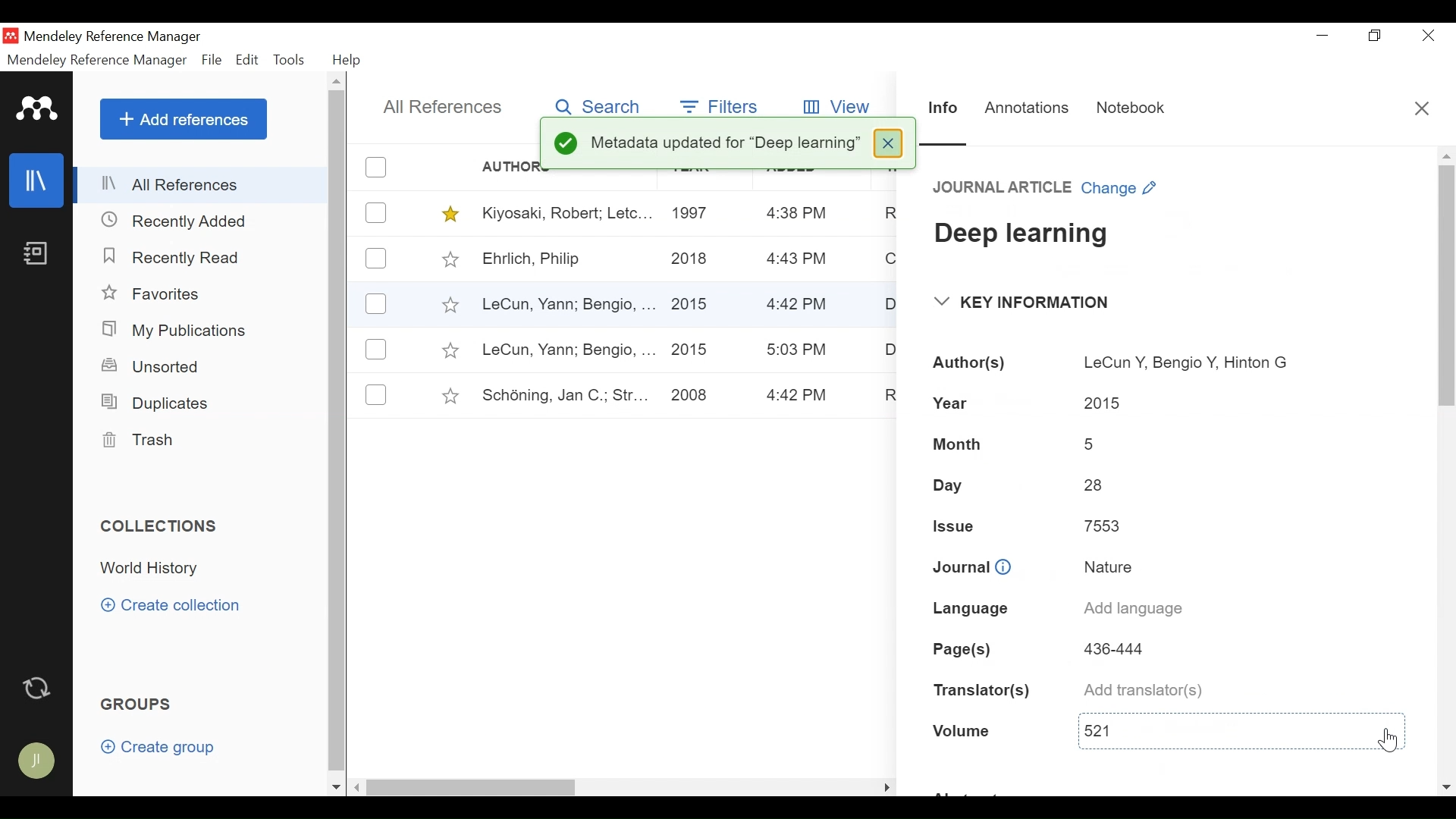 This screenshot has width=1456, height=819. I want to click on All References, so click(444, 107).